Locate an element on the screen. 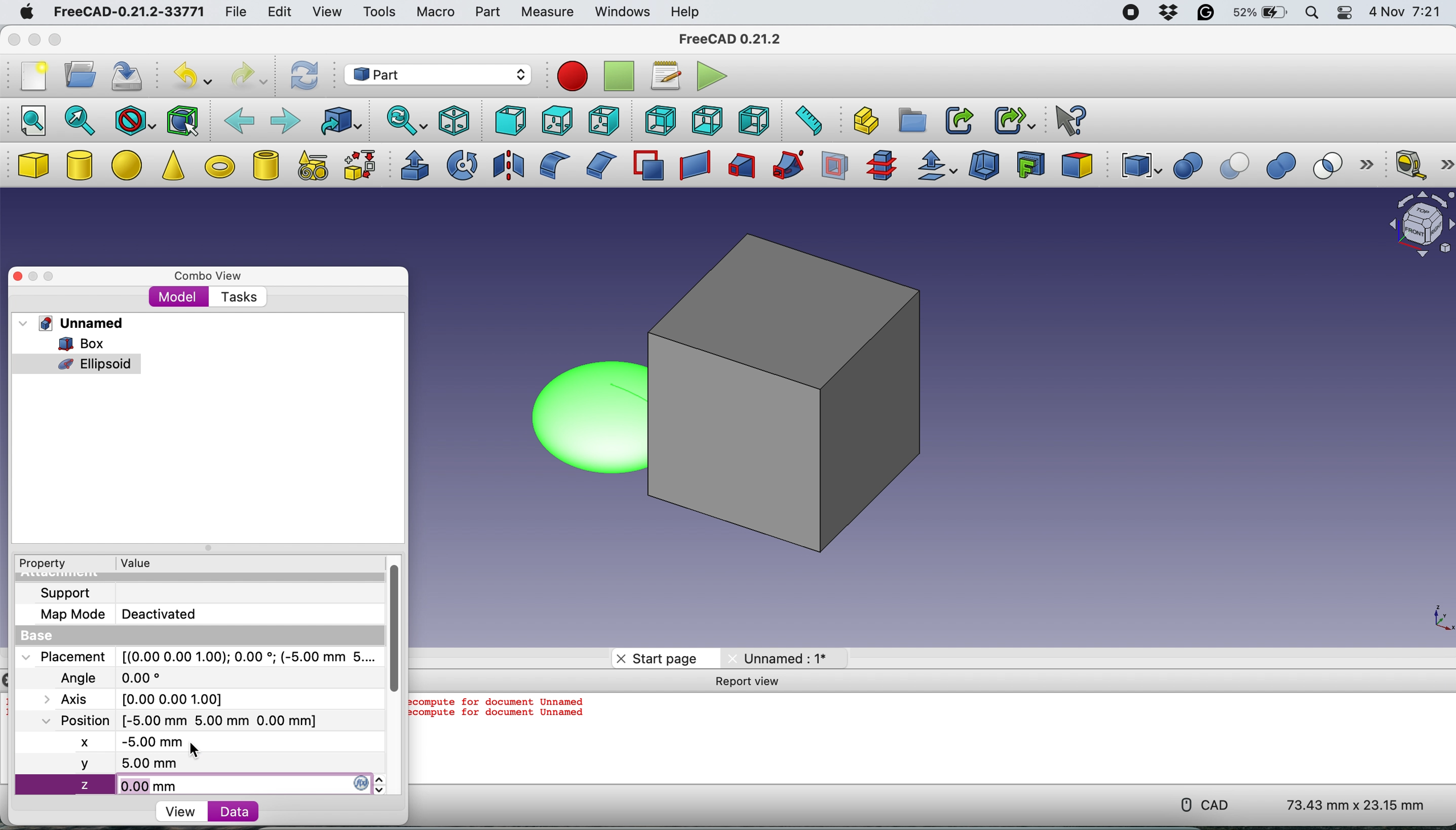  cone is located at coordinates (173, 168).